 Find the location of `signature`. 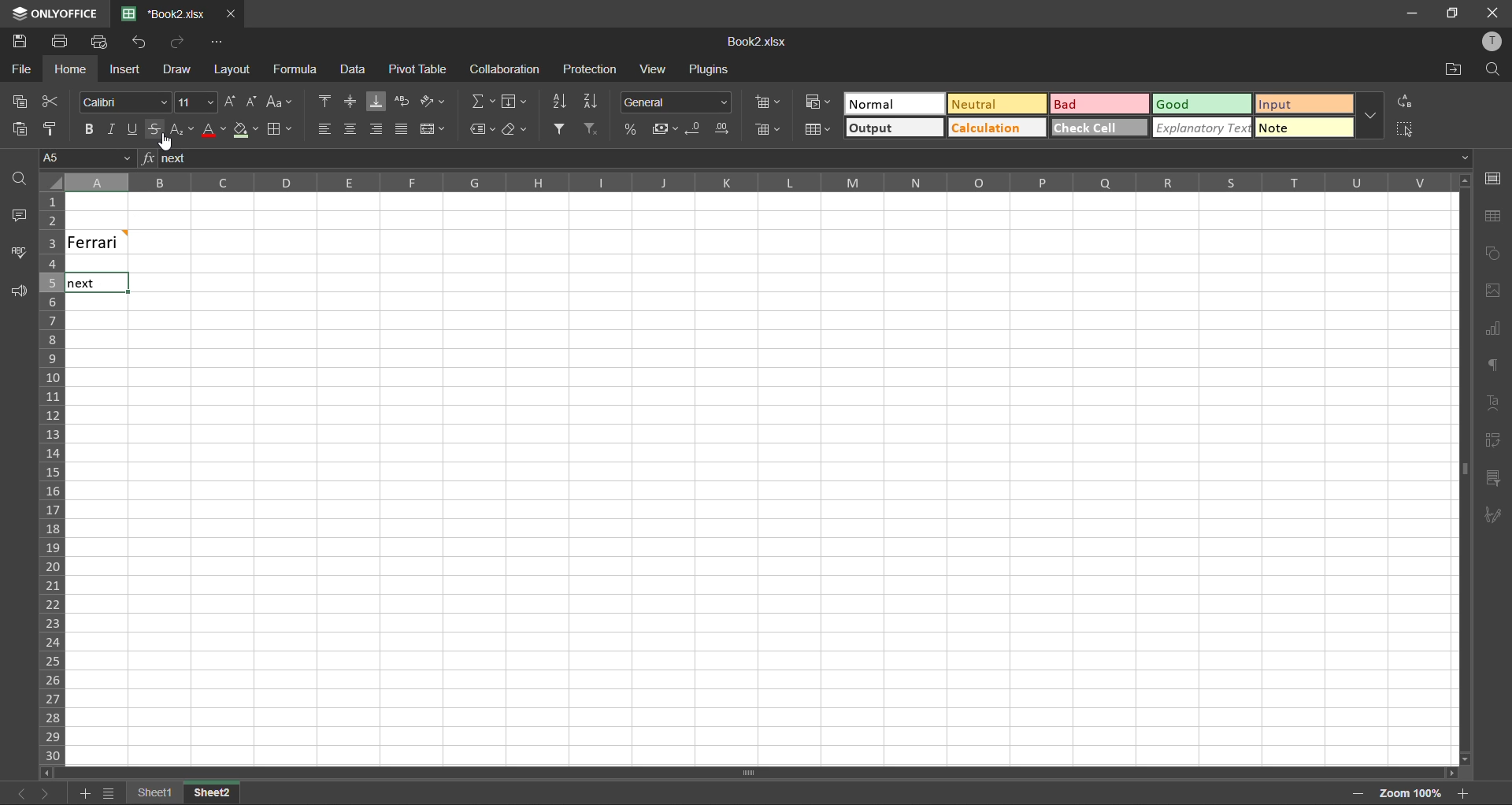

signature is located at coordinates (1497, 518).